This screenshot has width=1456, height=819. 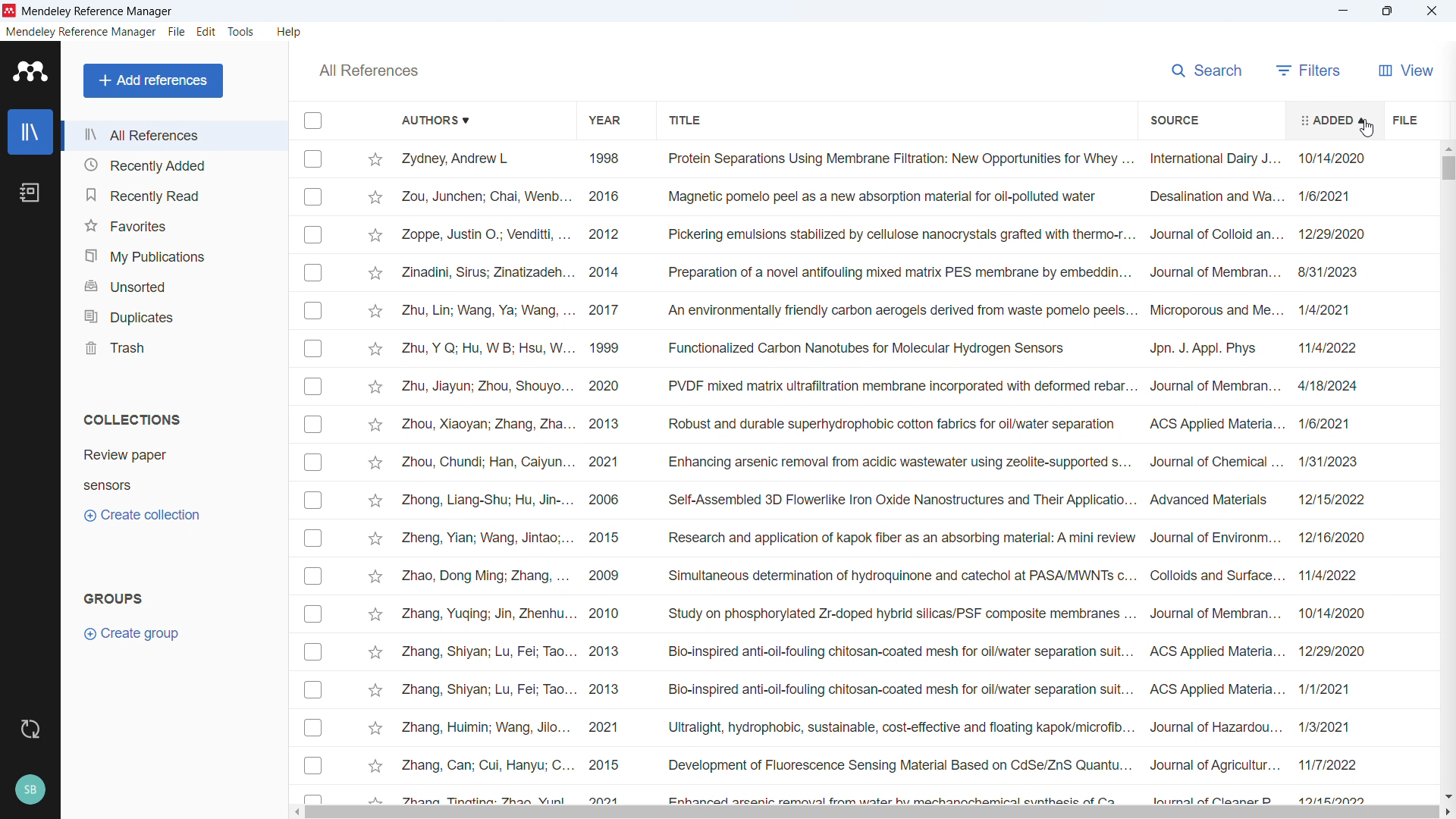 What do you see at coordinates (1388, 11) in the screenshot?
I see `Maximise ` at bounding box center [1388, 11].